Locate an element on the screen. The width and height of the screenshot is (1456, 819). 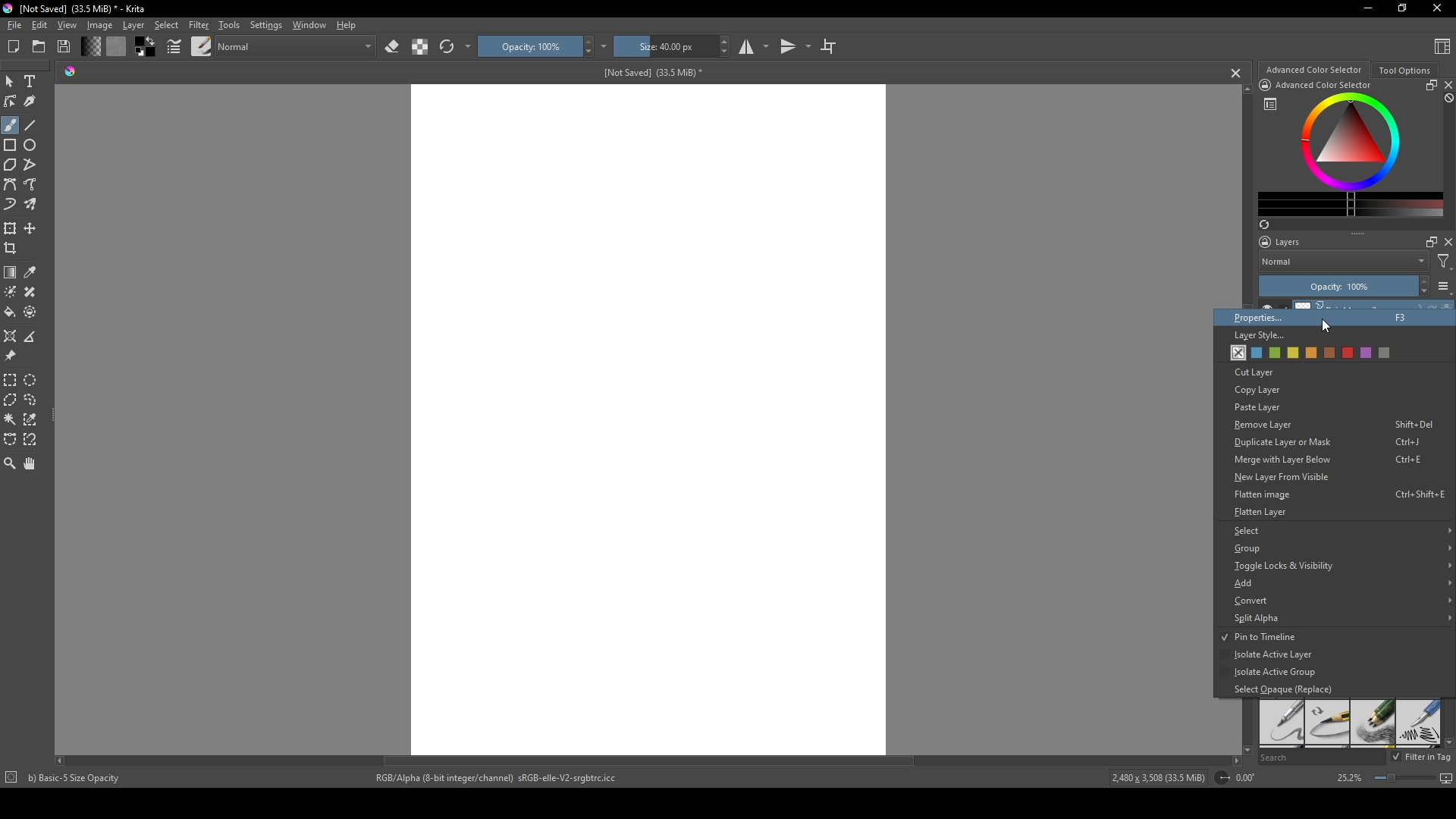
Tool Options is located at coordinates (1404, 71).